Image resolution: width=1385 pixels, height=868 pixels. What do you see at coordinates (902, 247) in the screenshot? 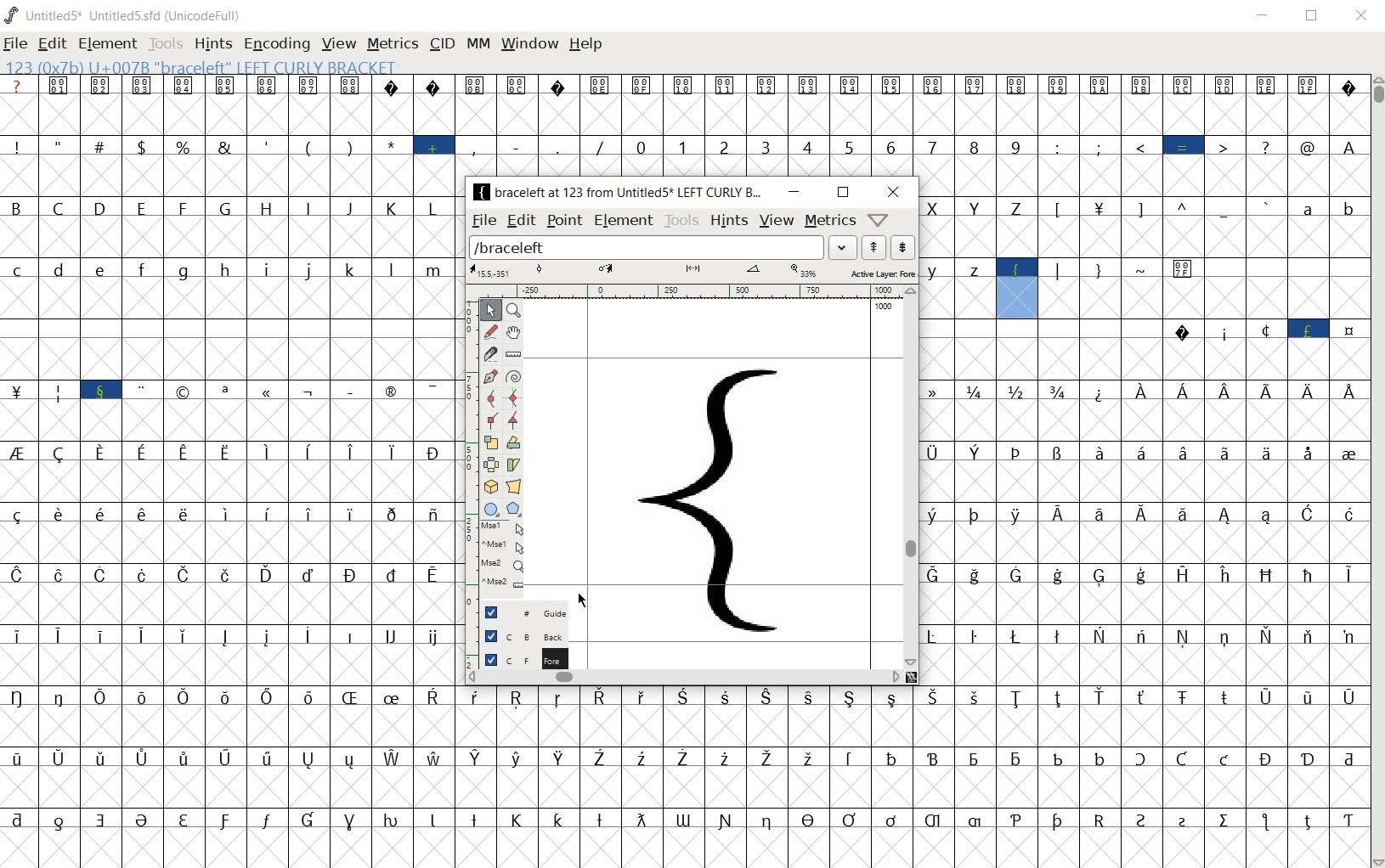
I see `show the previous word on the list` at bounding box center [902, 247].